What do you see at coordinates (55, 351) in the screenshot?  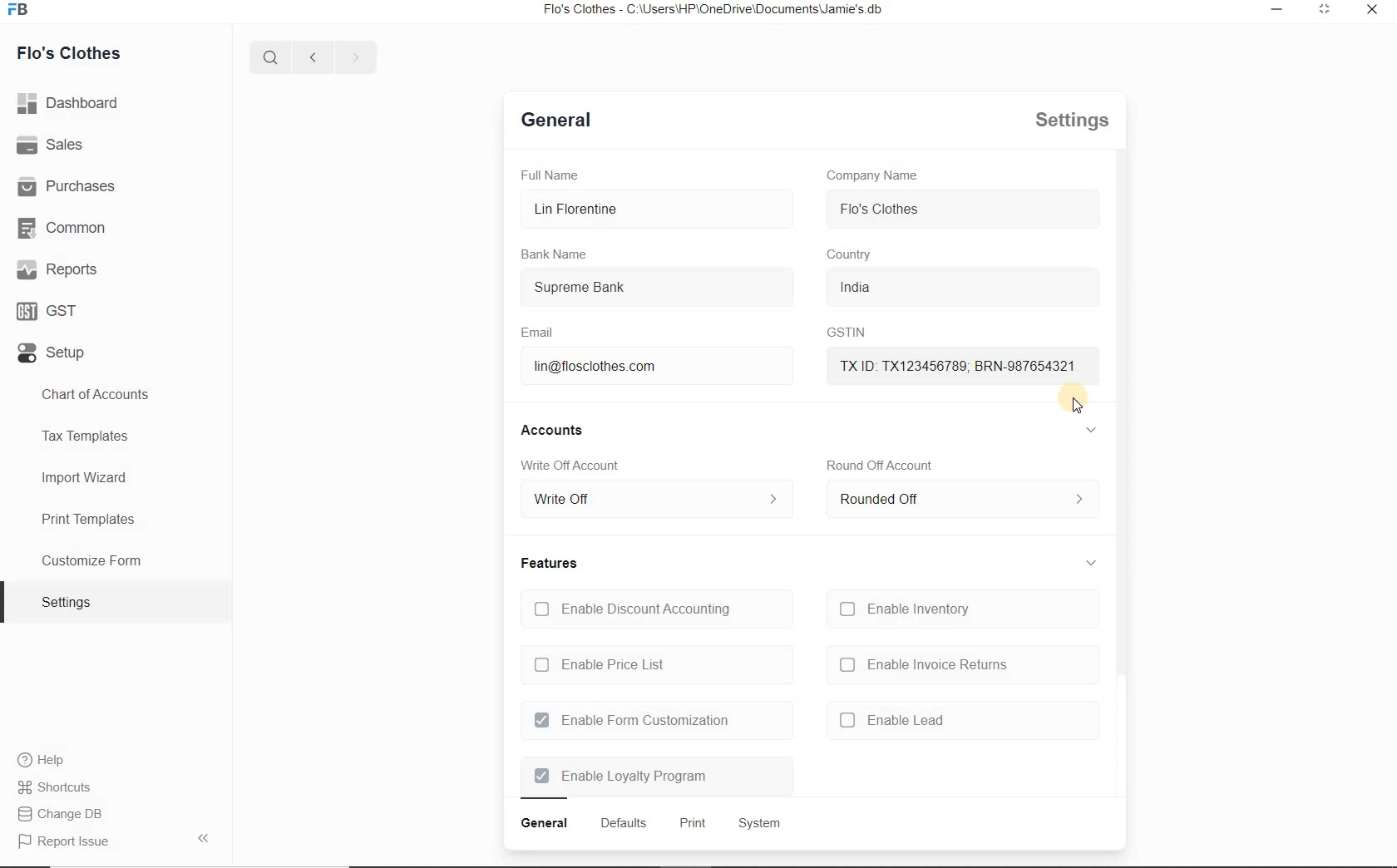 I see `Setup` at bounding box center [55, 351].